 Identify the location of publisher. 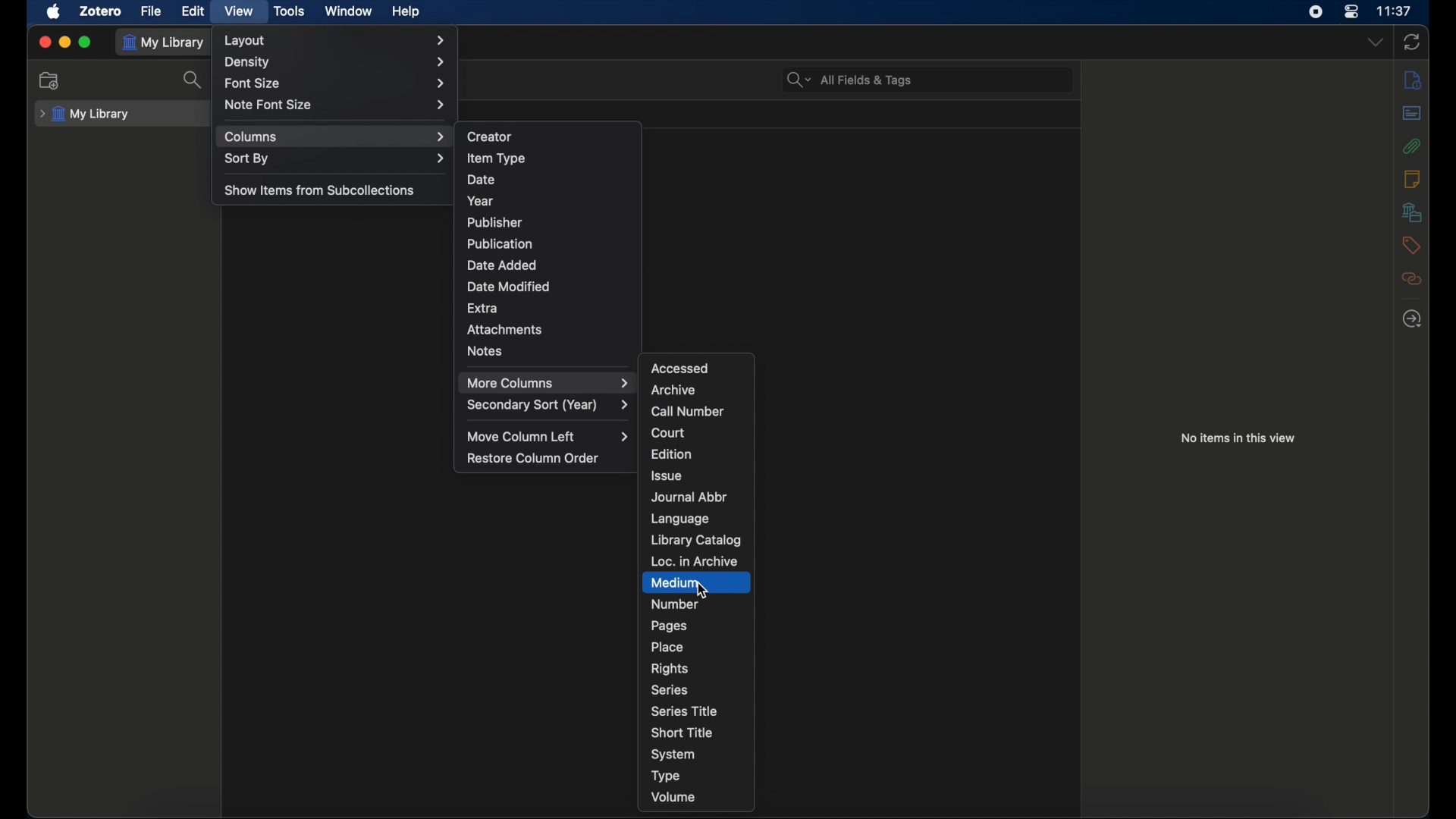
(495, 223).